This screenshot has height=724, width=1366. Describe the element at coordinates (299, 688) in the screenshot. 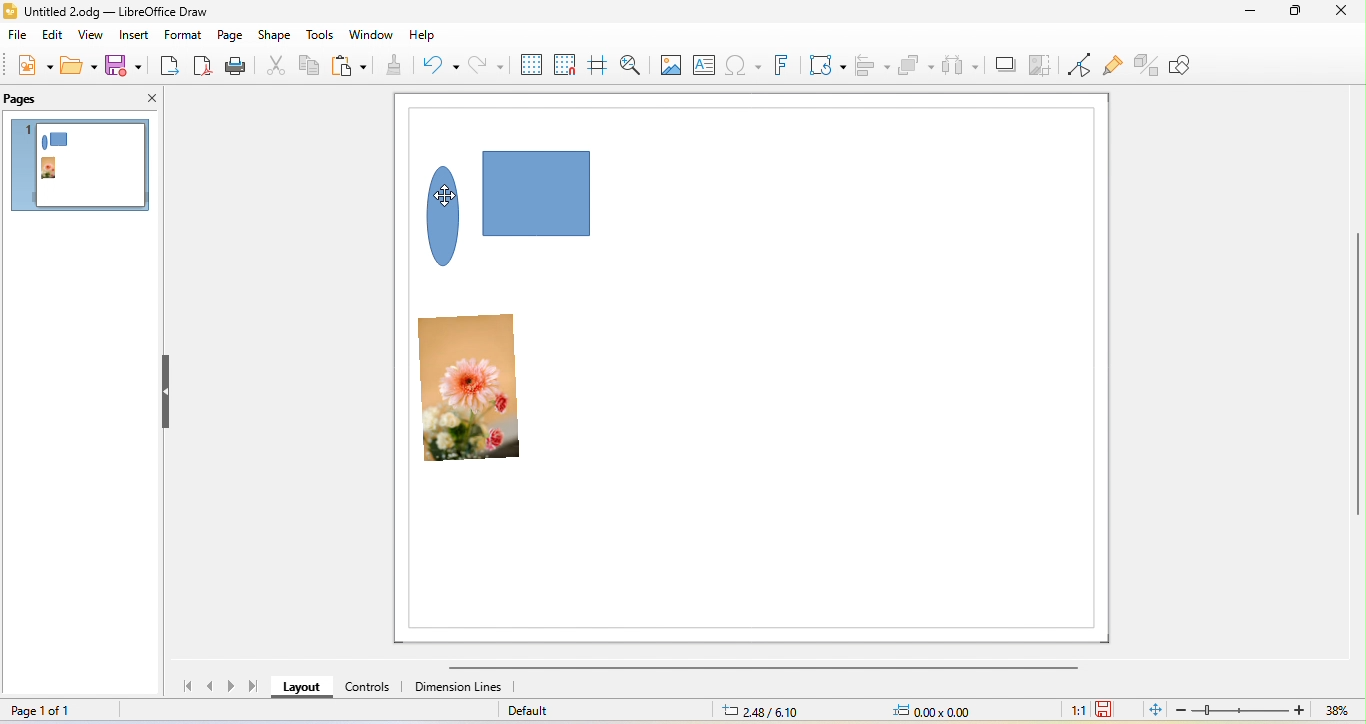

I see `layout` at that location.